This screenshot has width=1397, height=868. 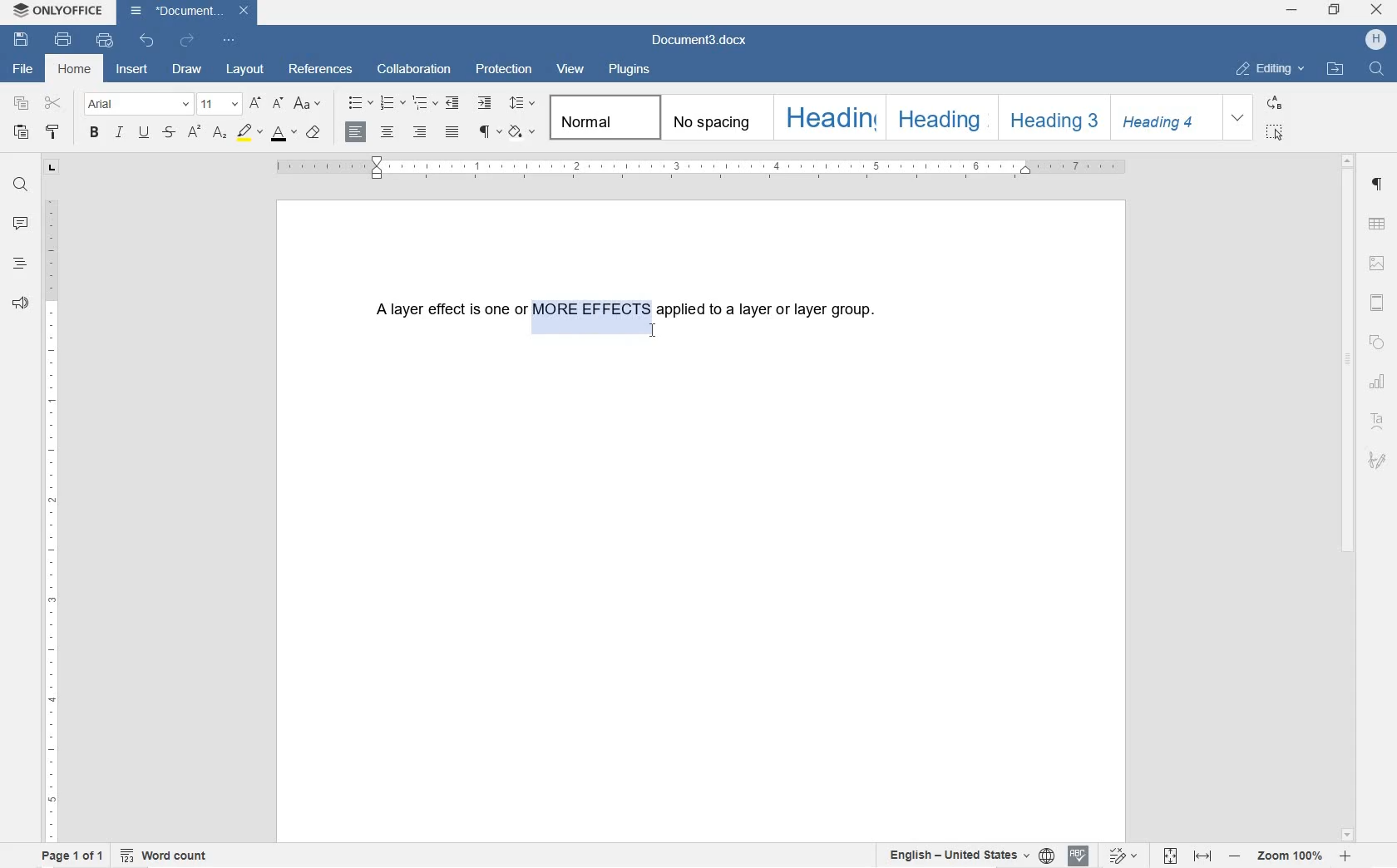 I want to click on NORMAL, so click(x=602, y=117).